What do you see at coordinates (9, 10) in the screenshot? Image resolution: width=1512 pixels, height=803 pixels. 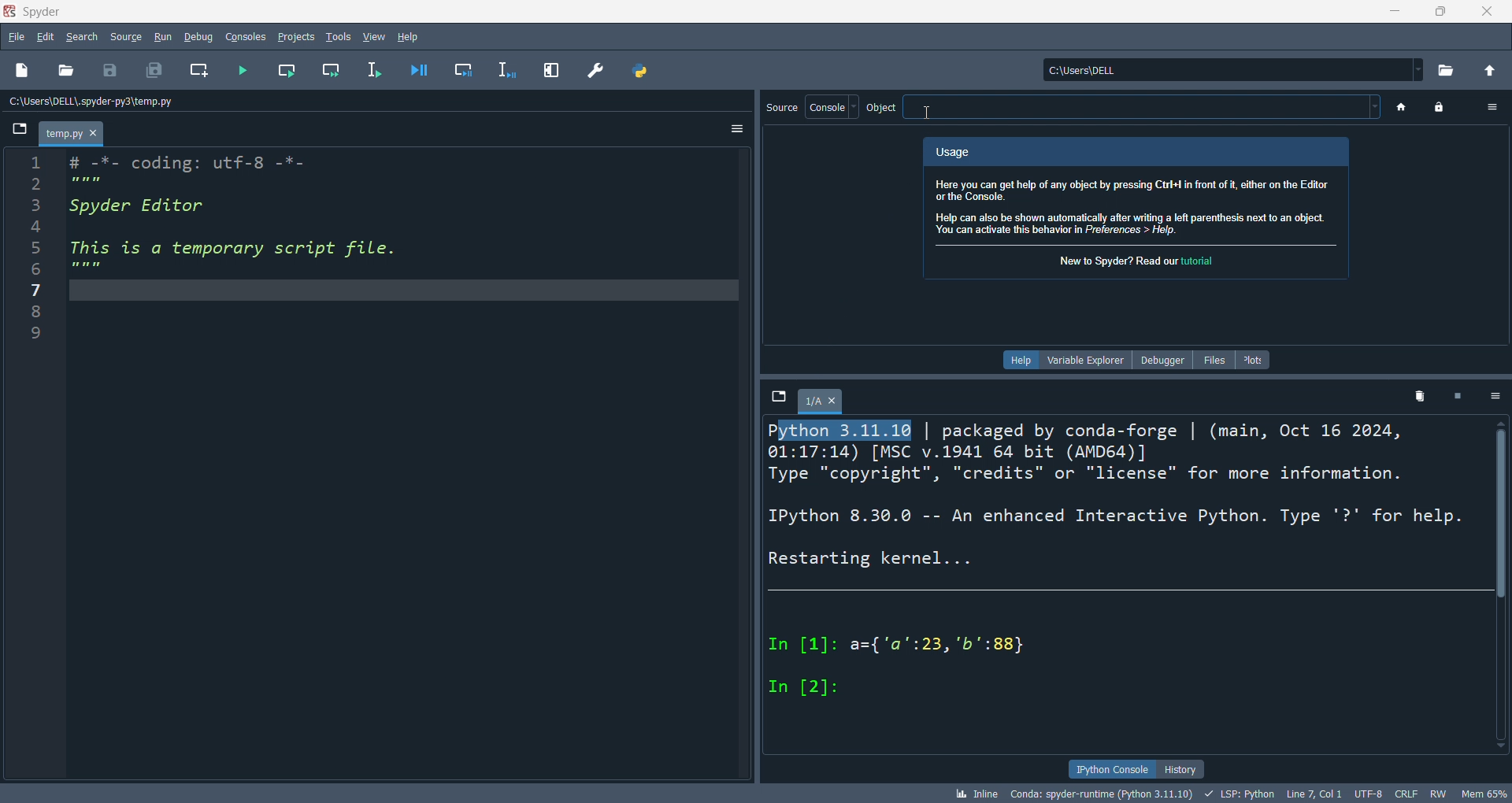 I see `spyder logo` at bounding box center [9, 10].